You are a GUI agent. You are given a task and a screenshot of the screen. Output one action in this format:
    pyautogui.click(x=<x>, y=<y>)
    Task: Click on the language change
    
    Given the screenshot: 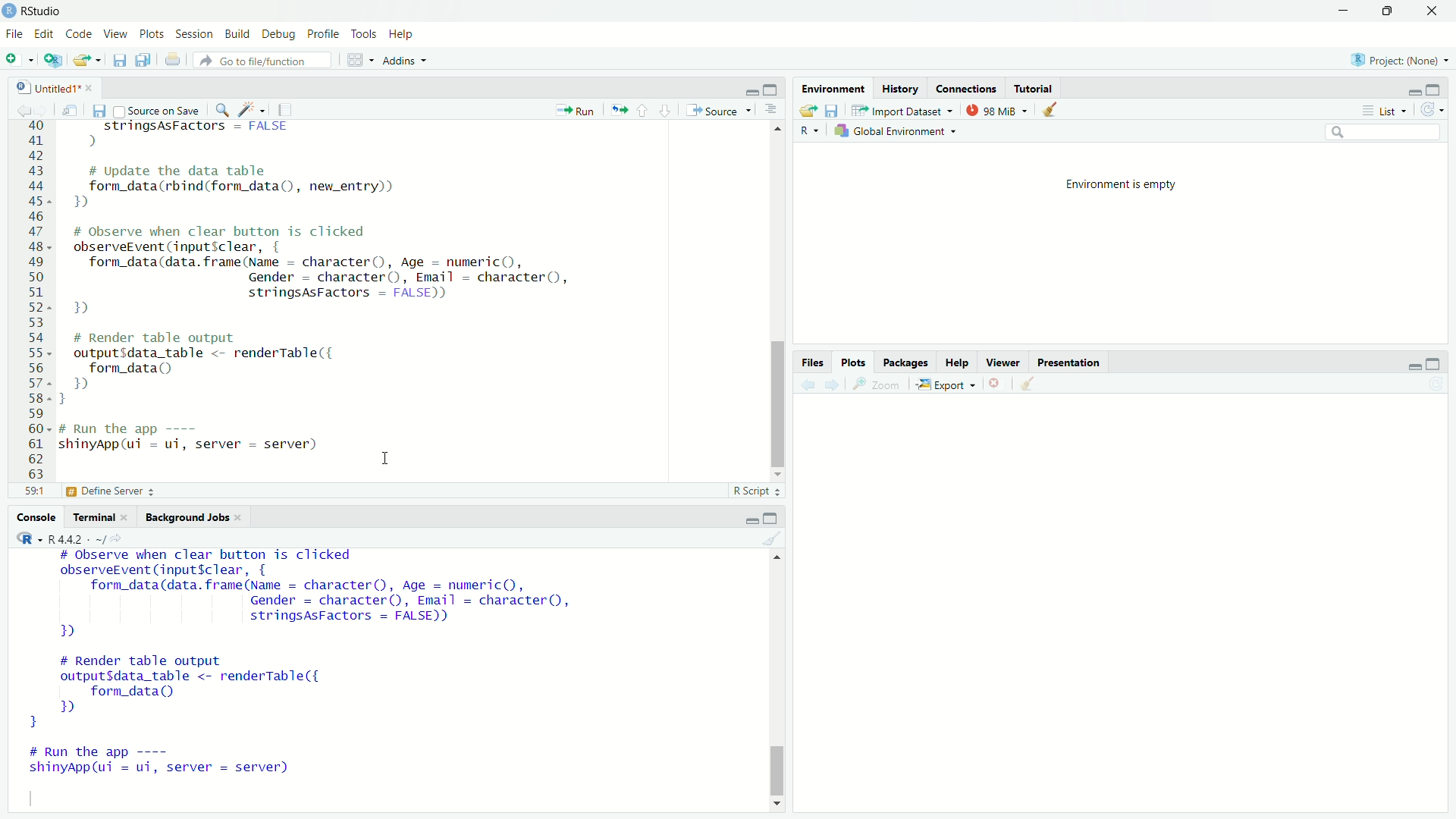 What is the action you would take?
    pyautogui.click(x=808, y=131)
    